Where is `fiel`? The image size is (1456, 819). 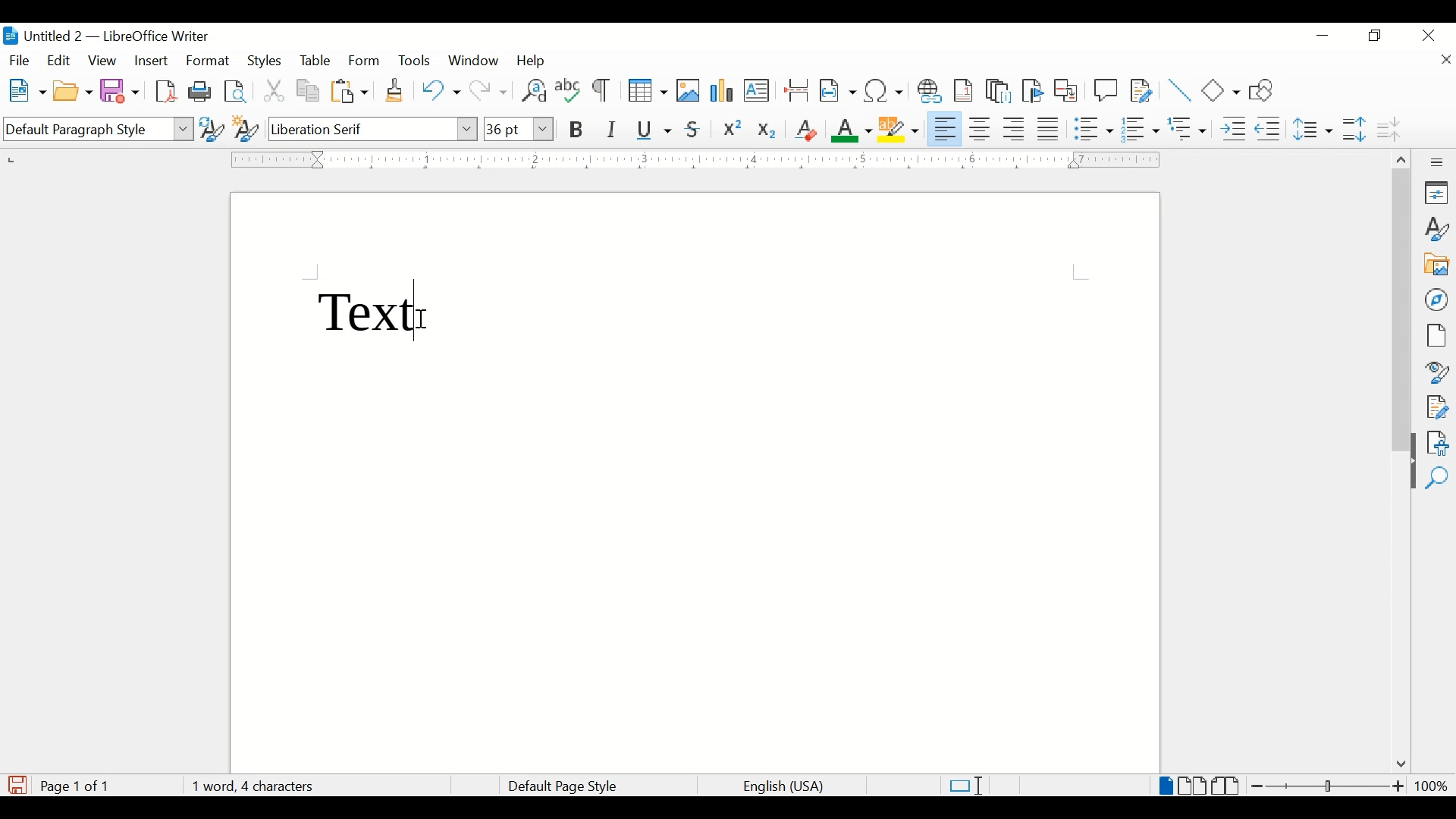
fiel is located at coordinates (20, 61).